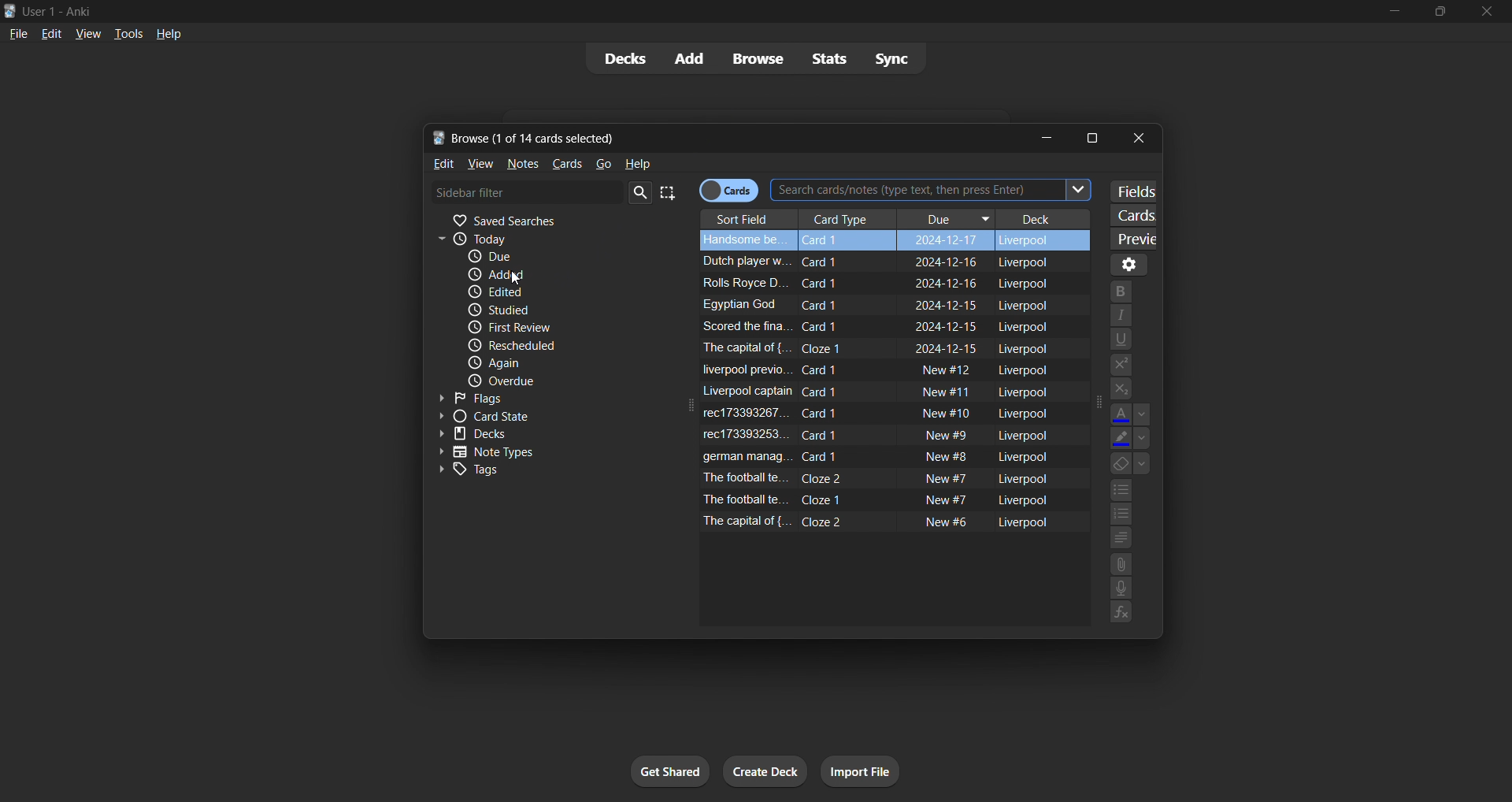  What do you see at coordinates (478, 163) in the screenshot?
I see `view` at bounding box center [478, 163].